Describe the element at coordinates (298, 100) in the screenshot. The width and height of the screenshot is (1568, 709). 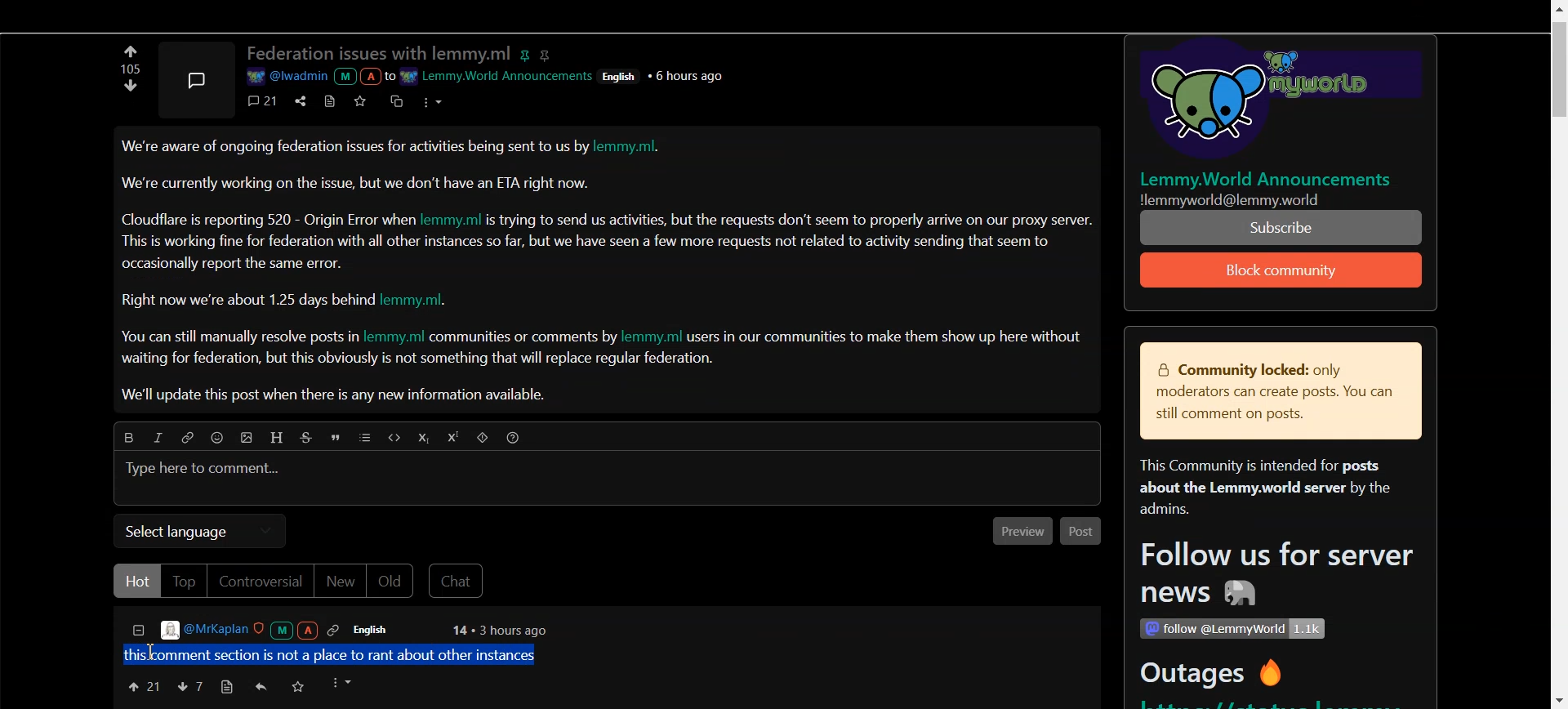
I see `share` at that location.